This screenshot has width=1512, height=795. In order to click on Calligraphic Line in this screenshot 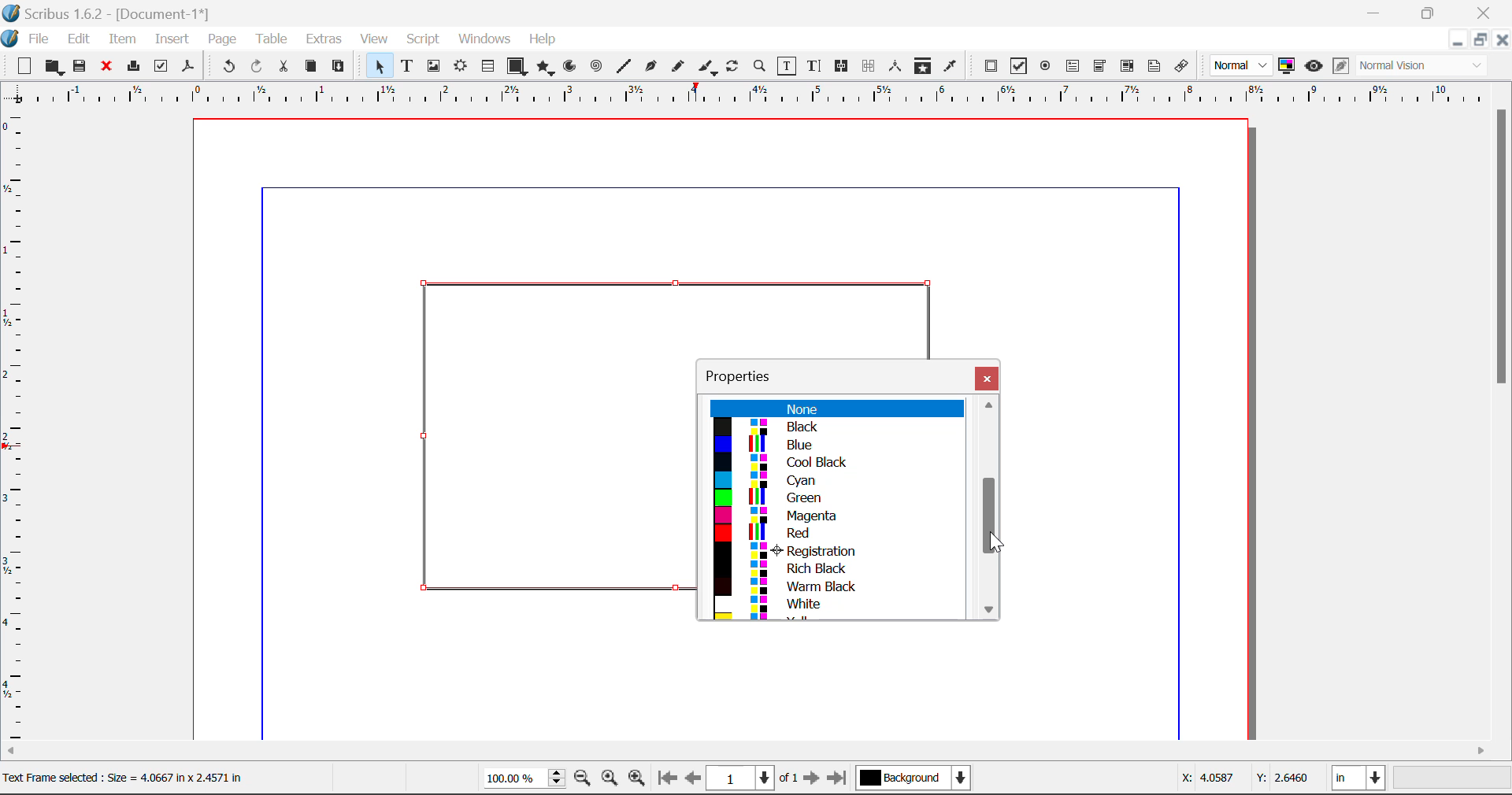, I will do `click(704, 67)`.